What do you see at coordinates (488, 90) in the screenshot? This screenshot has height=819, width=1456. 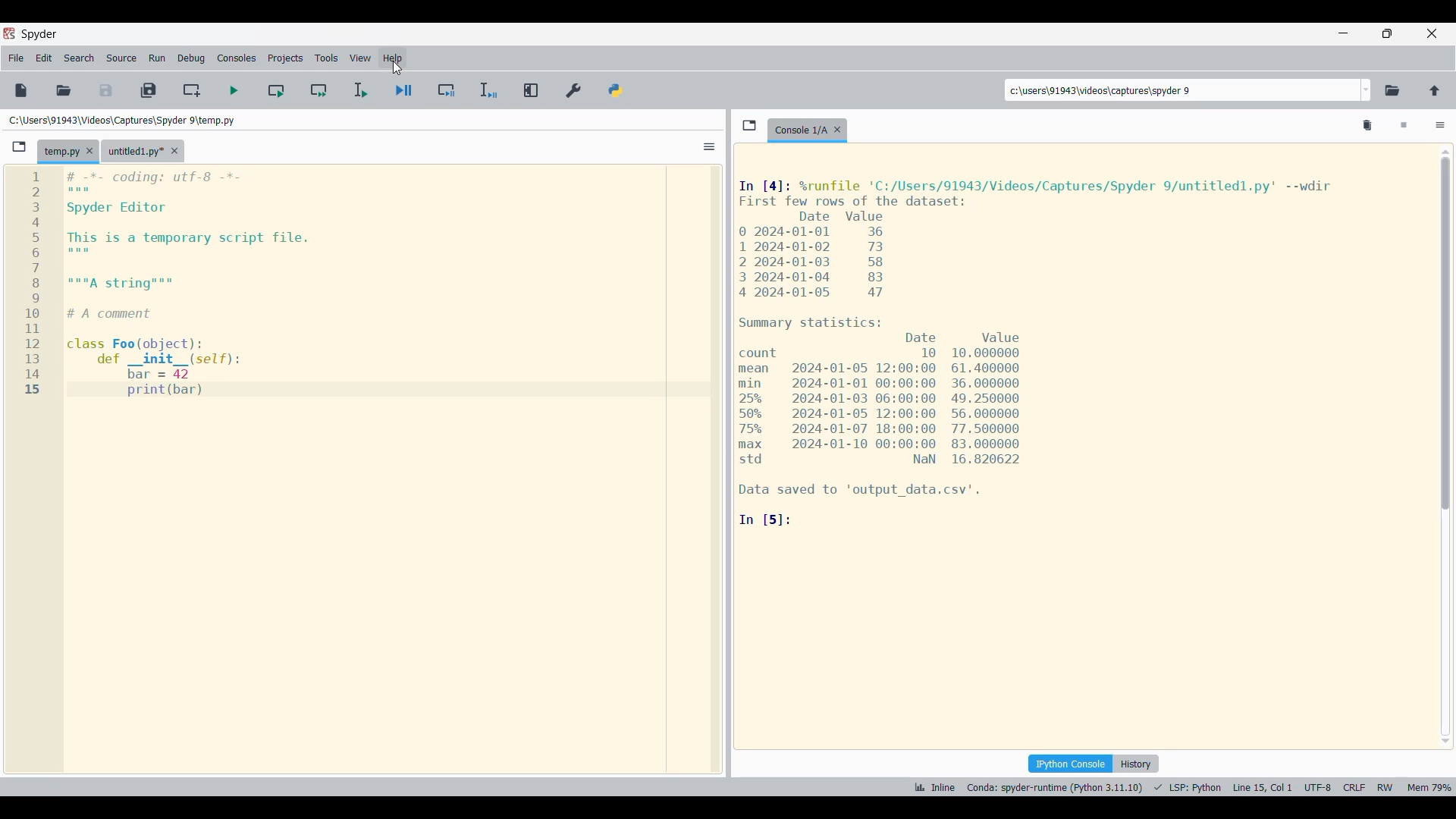 I see `Debug selection/current line` at bounding box center [488, 90].